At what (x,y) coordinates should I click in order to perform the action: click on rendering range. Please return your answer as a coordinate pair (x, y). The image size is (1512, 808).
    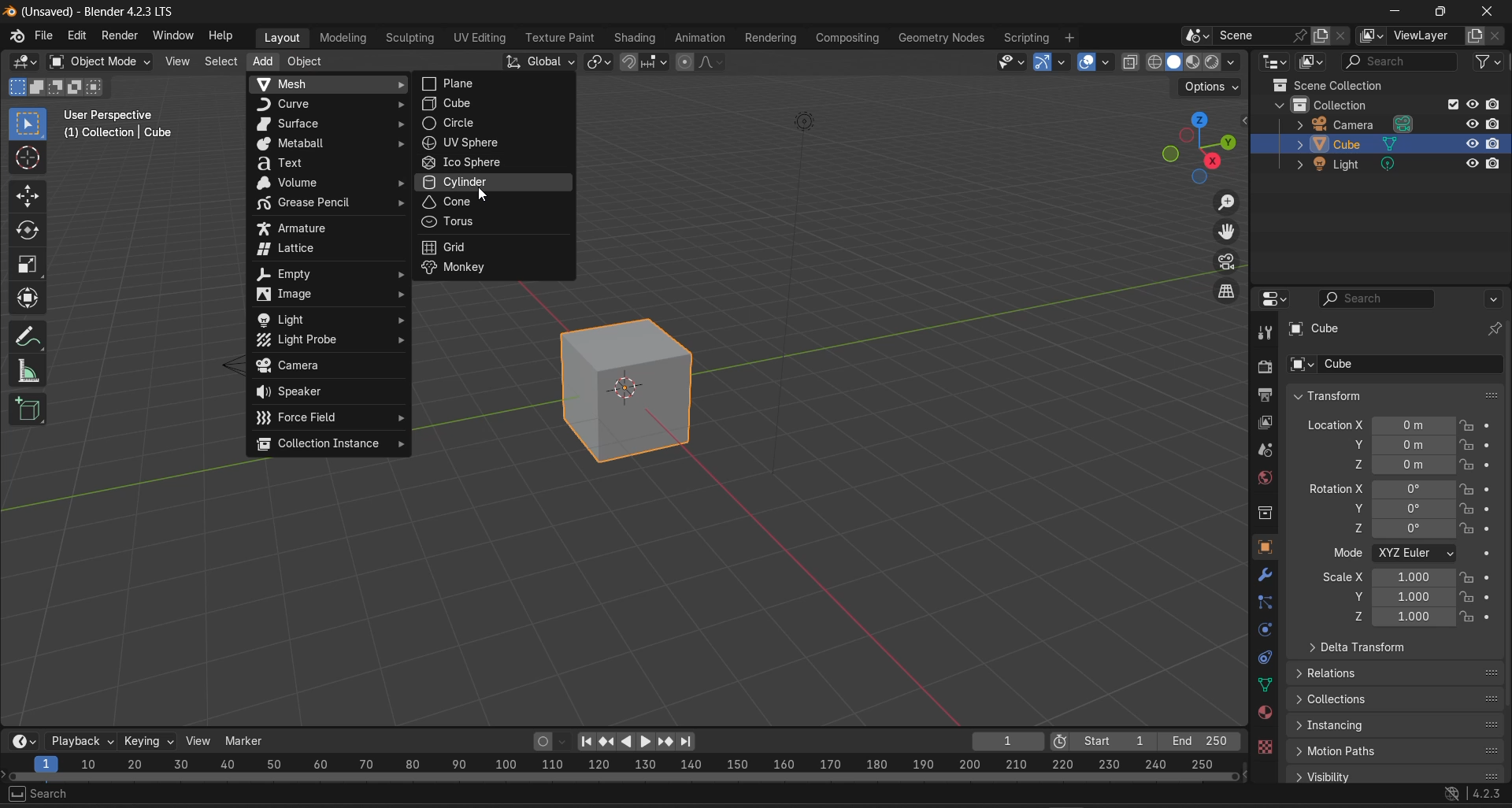
    Looking at the image, I should click on (628, 762).